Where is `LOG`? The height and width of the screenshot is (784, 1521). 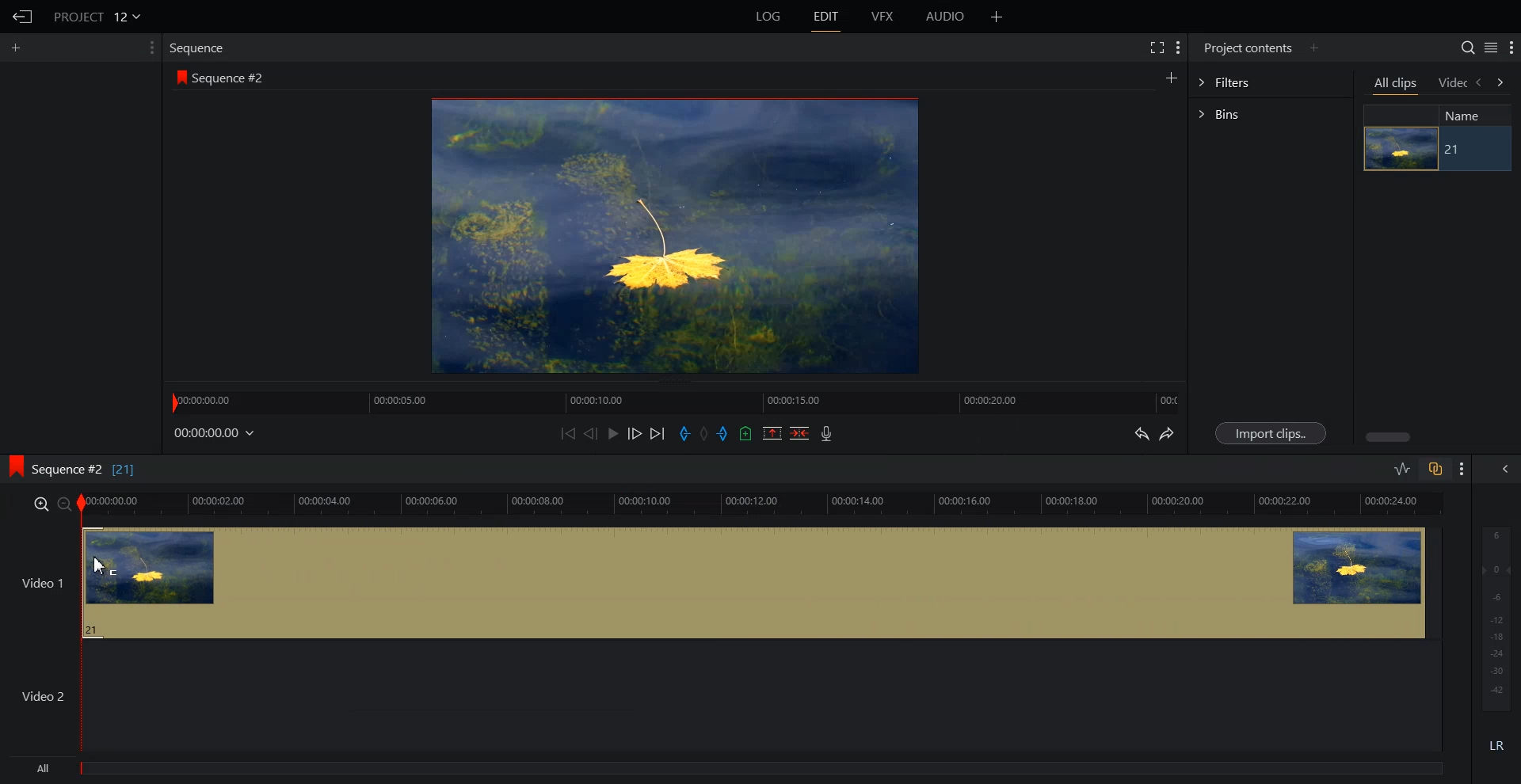 LOG is located at coordinates (769, 17).